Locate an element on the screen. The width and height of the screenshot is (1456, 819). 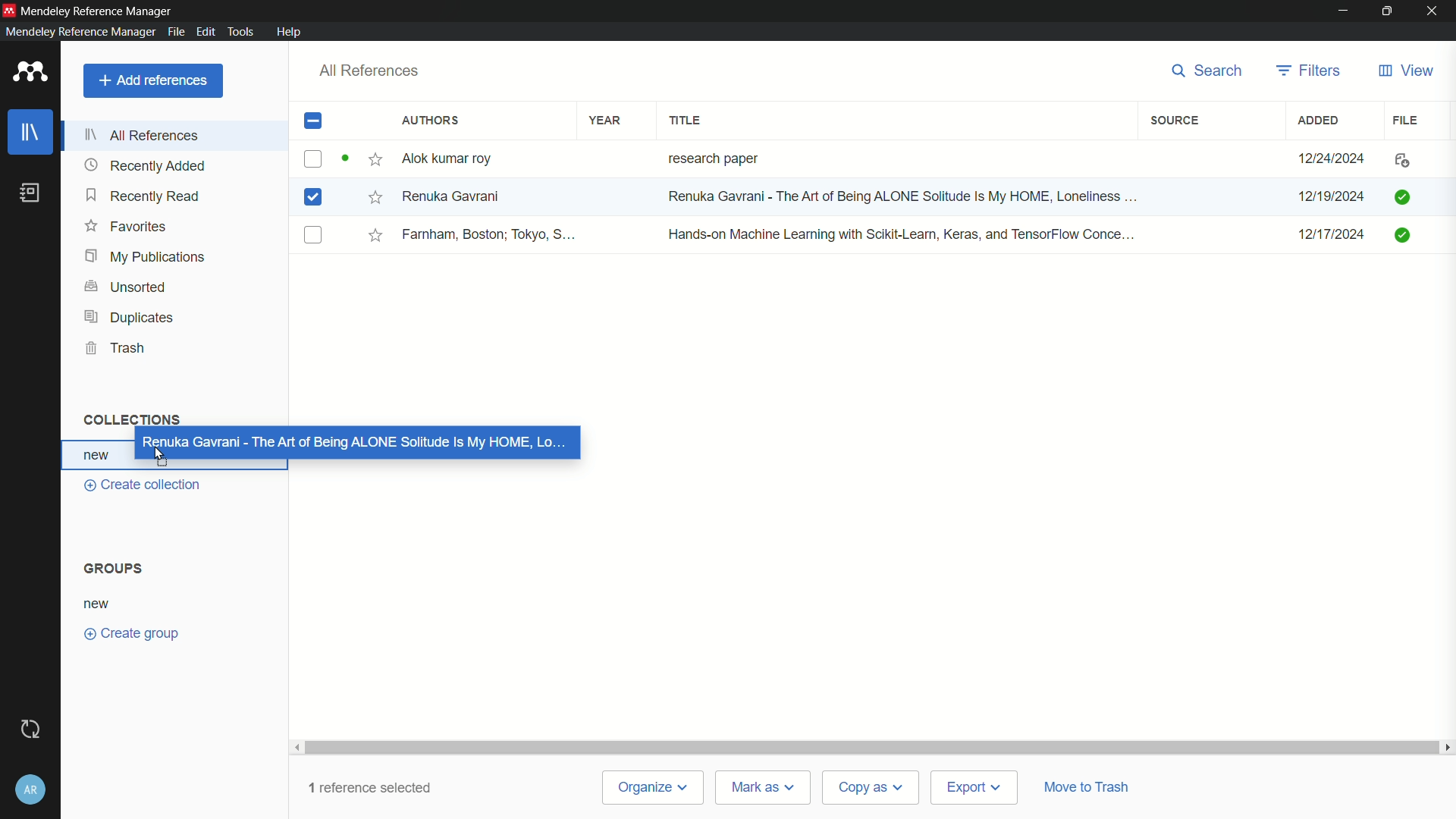
File added is located at coordinates (1400, 235).